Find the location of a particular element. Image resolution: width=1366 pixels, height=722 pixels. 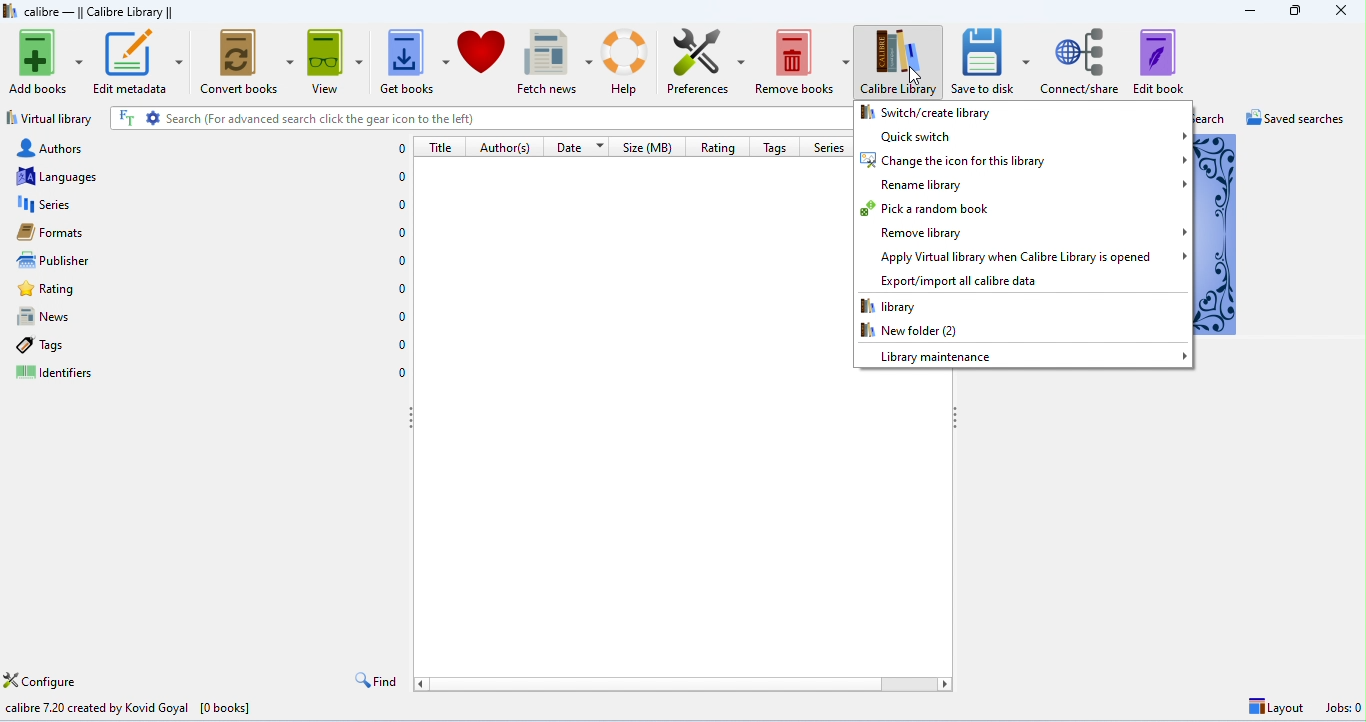

configure is located at coordinates (46, 681).